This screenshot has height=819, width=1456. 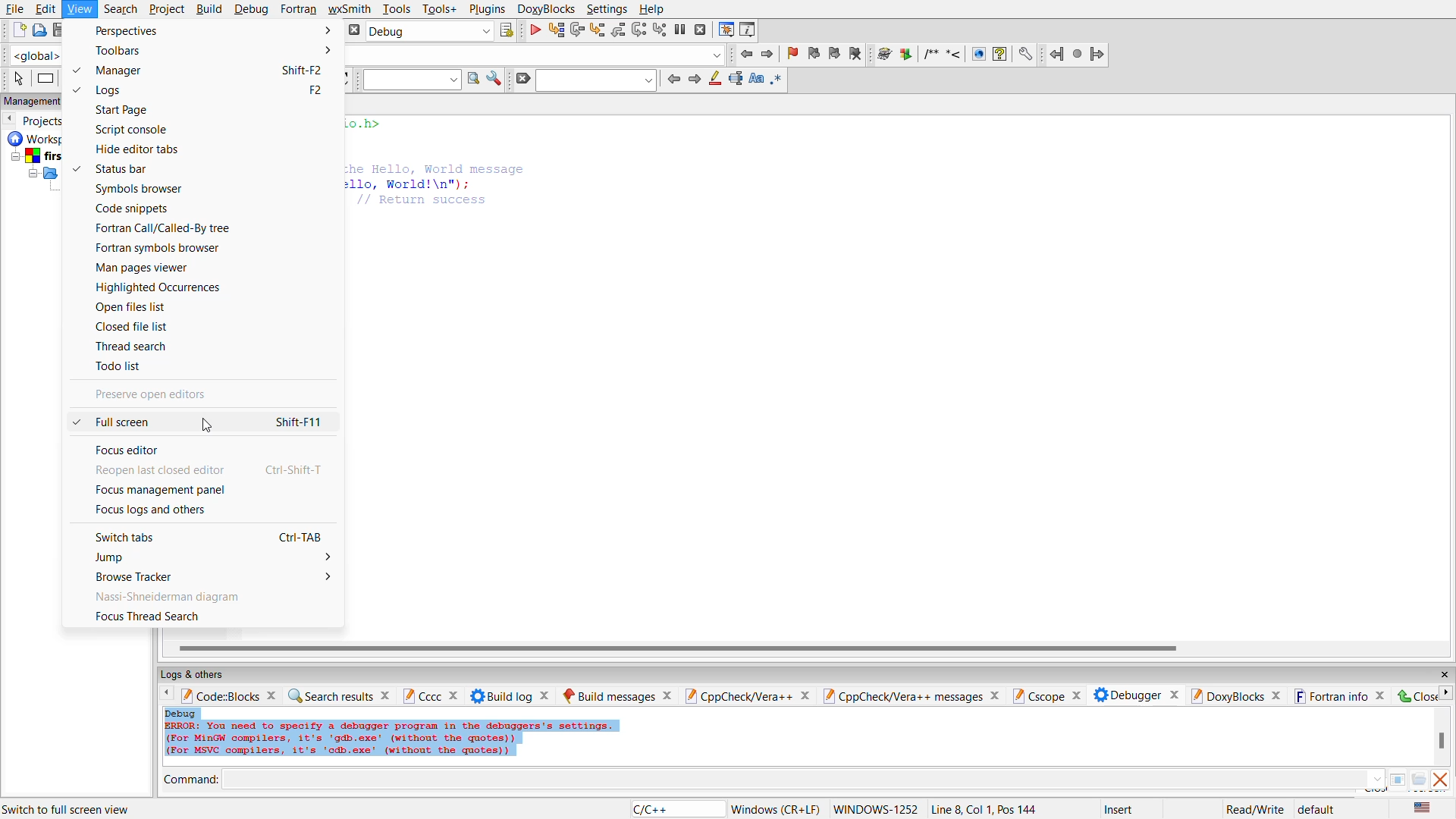 What do you see at coordinates (737, 80) in the screenshot?
I see `selected text` at bounding box center [737, 80].